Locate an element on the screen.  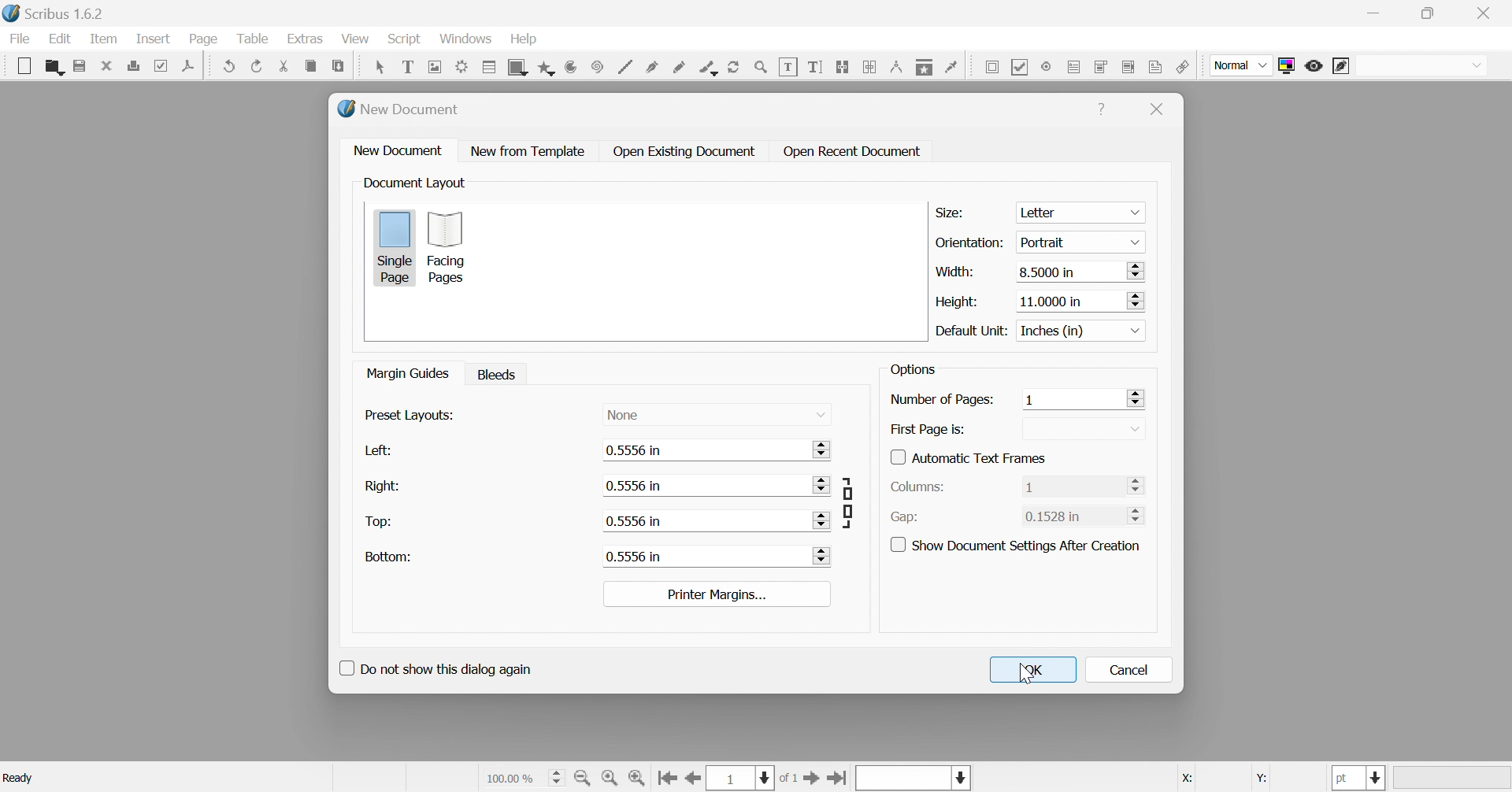
windows is located at coordinates (466, 39).